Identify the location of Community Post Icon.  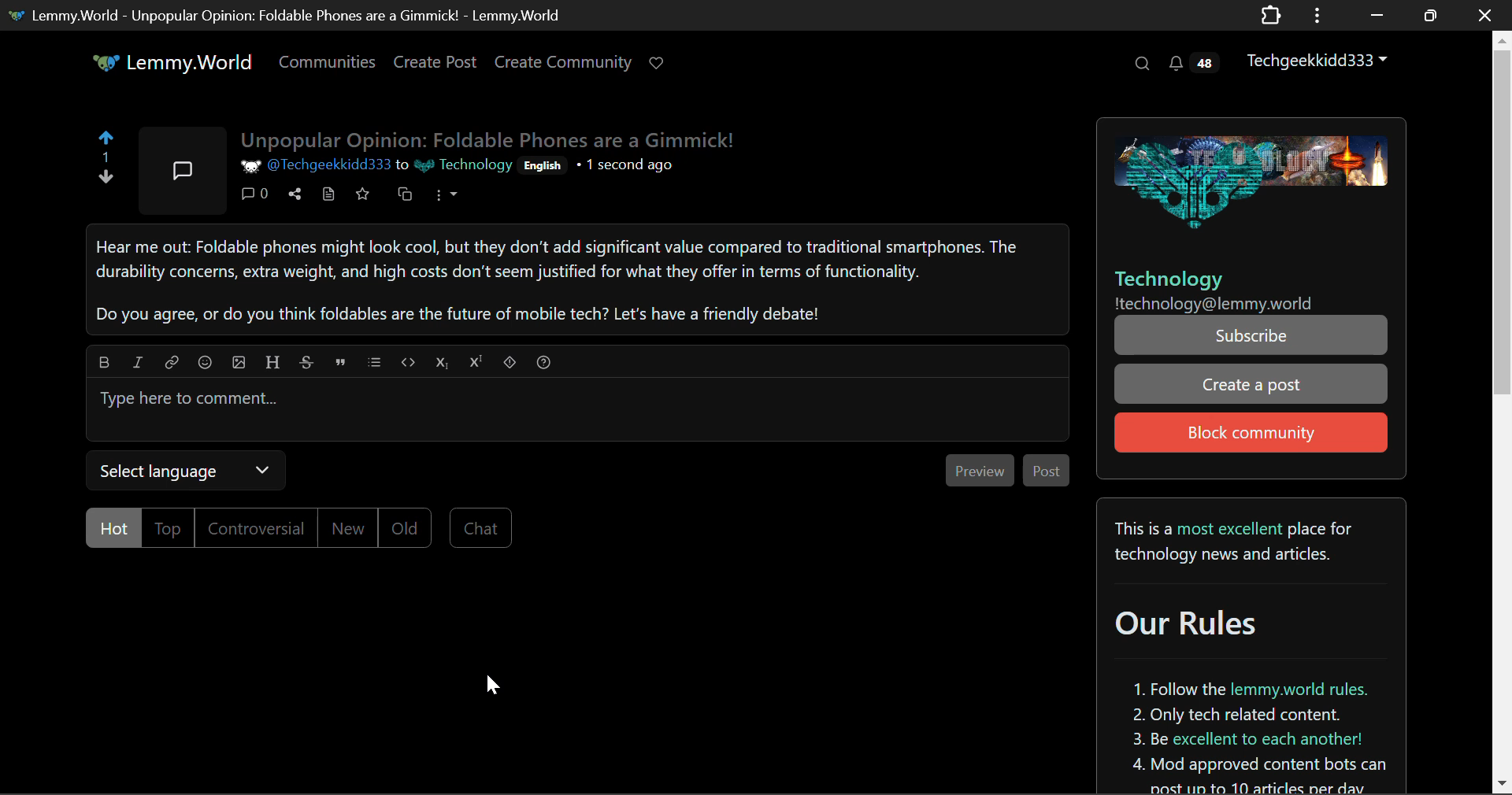
(180, 169).